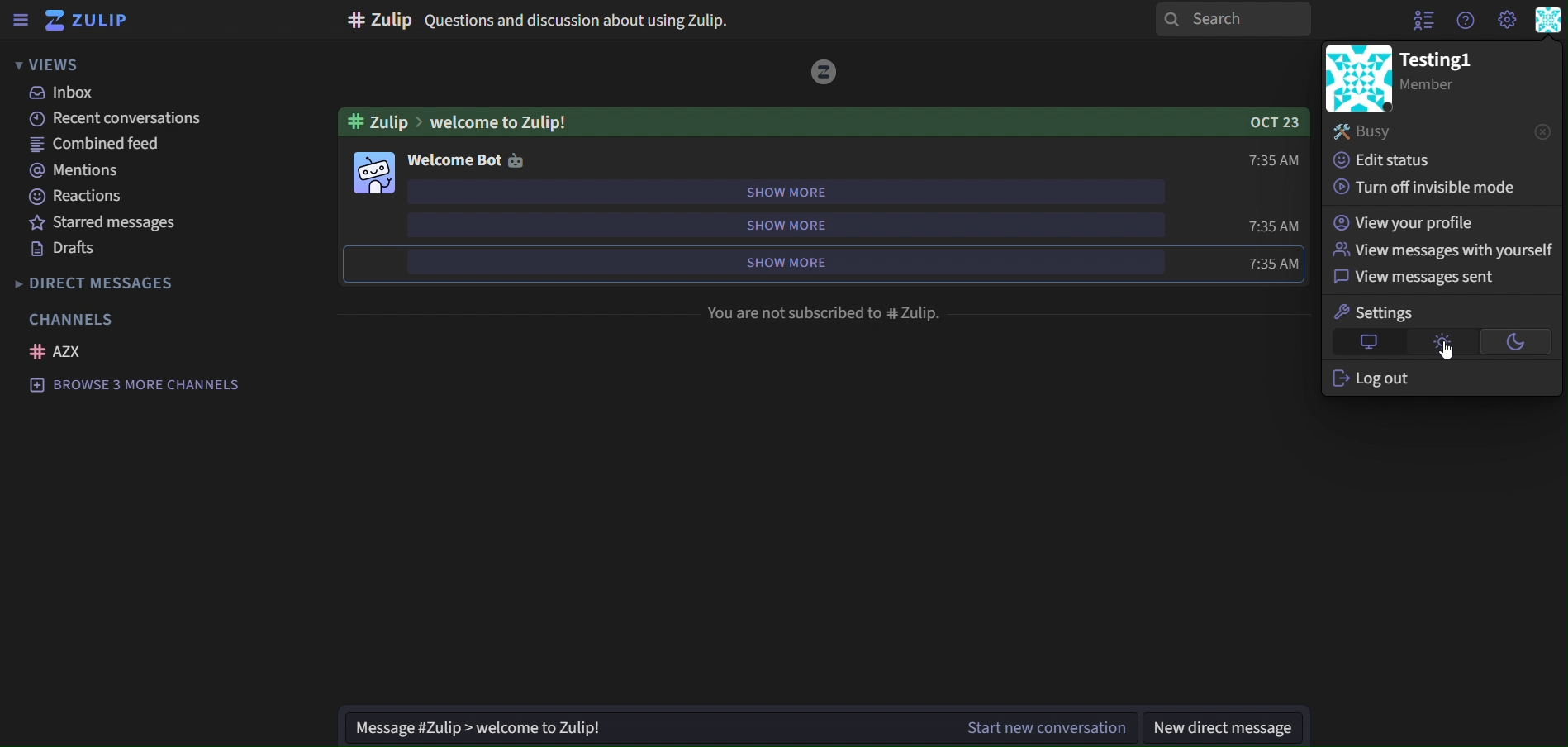 This screenshot has width=1568, height=747. Describe the element at coordinates (80, 172) in the screenshot. I see `mentions` at that location.